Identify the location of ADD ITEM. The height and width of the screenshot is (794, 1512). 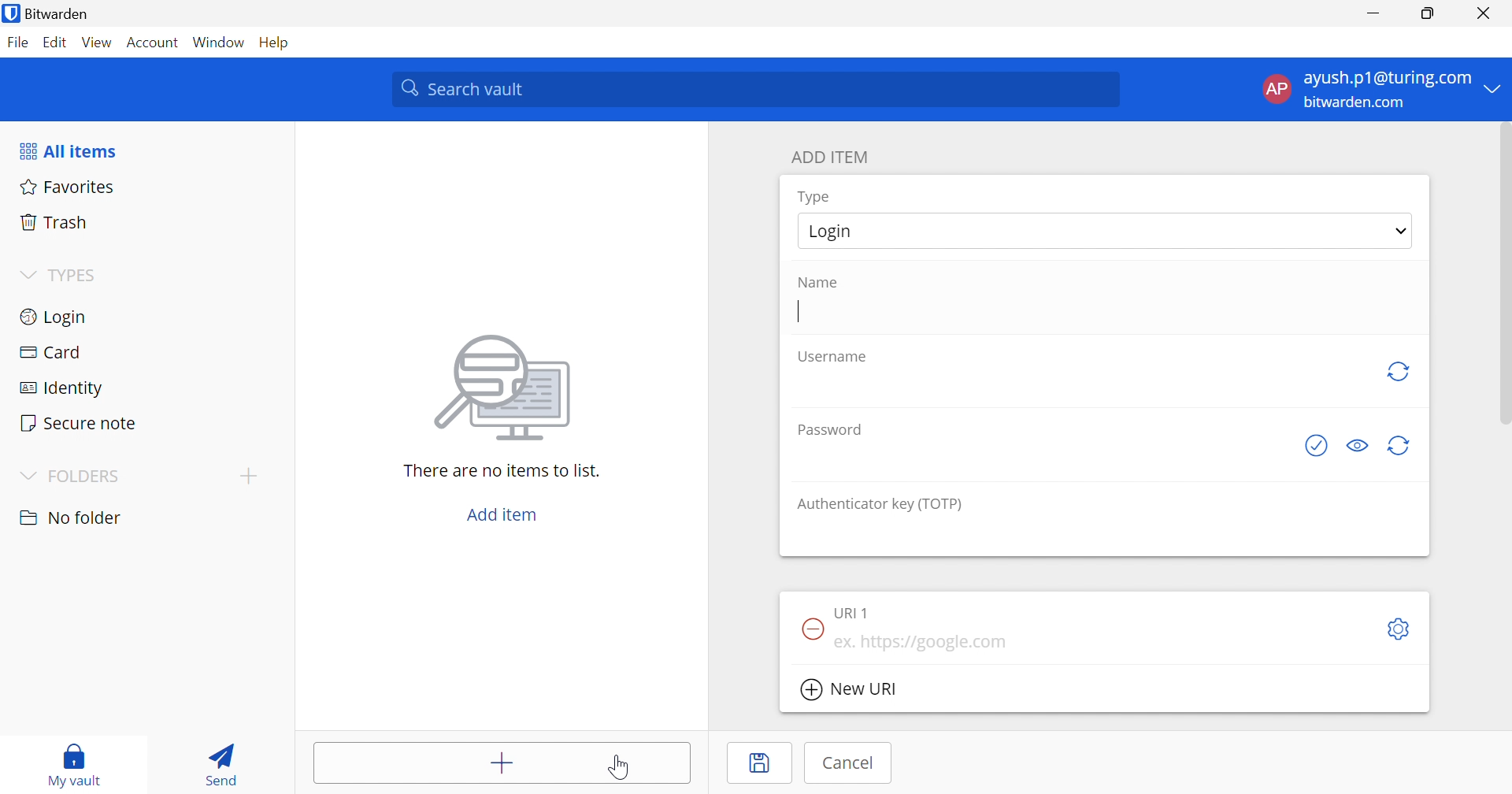
(832, 157).